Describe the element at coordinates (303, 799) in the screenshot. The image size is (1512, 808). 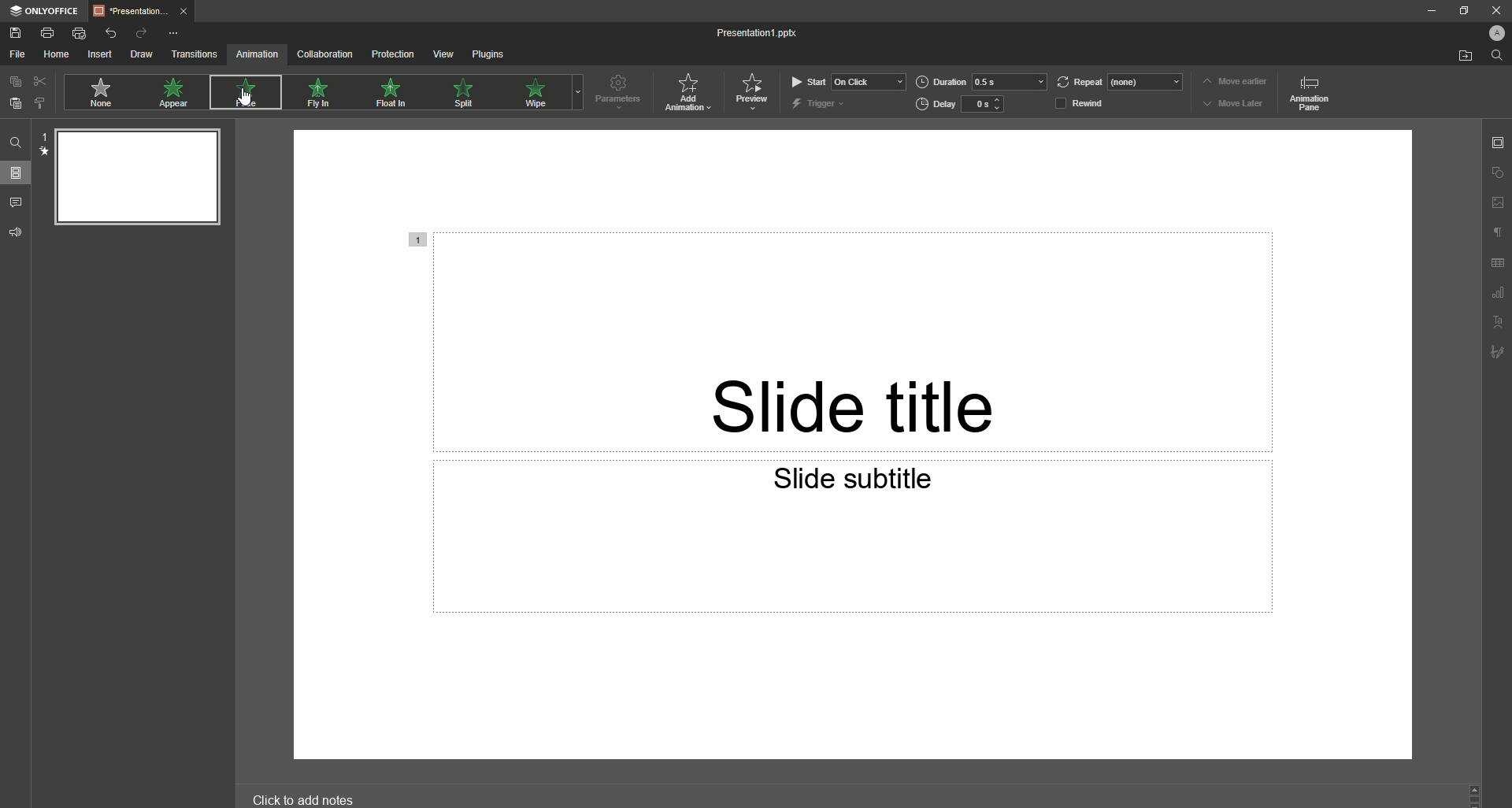
I see `Click to add notes` at that location.